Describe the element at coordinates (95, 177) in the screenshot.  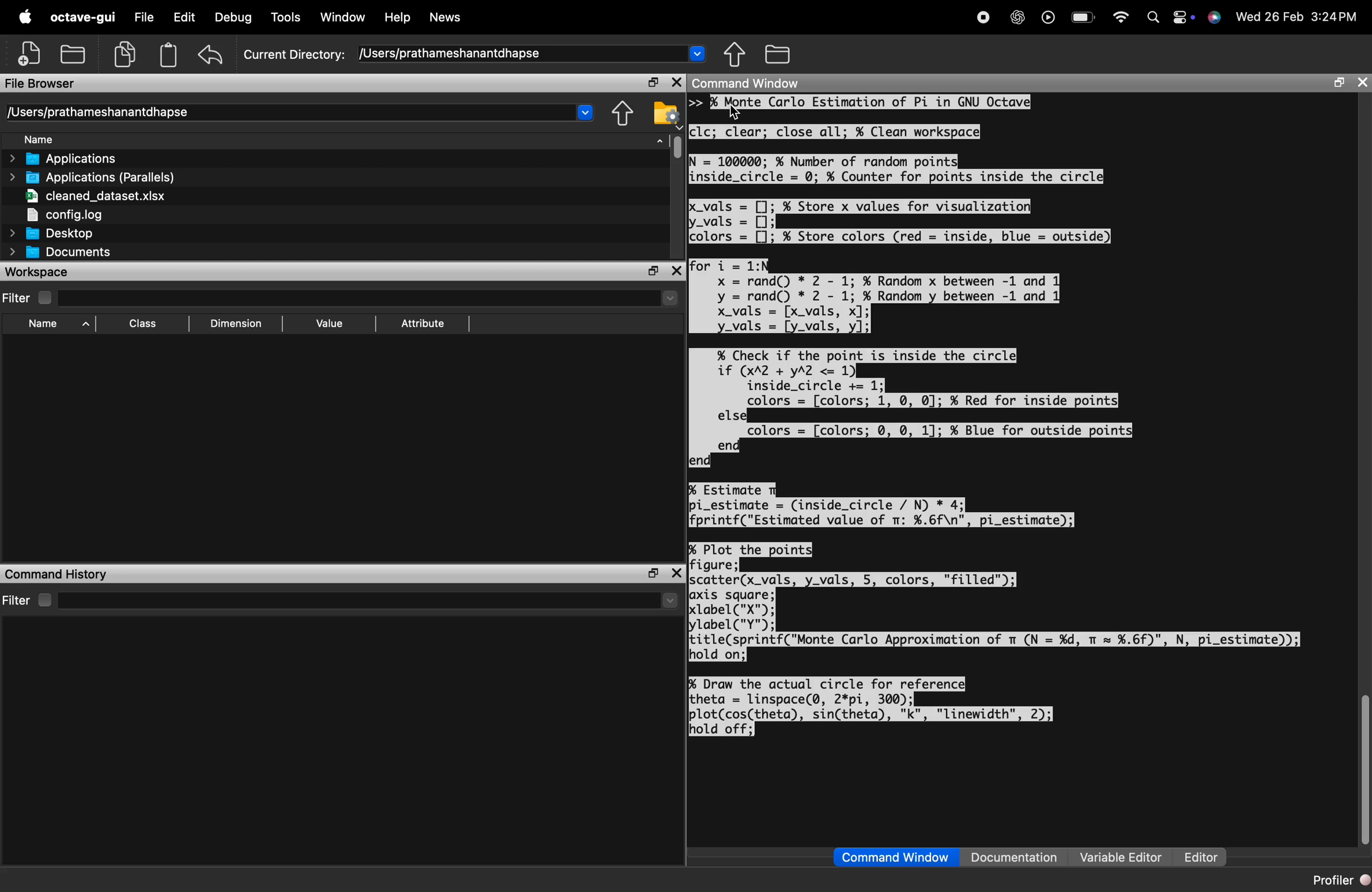
I see `Applications (Parallels)` at that location.